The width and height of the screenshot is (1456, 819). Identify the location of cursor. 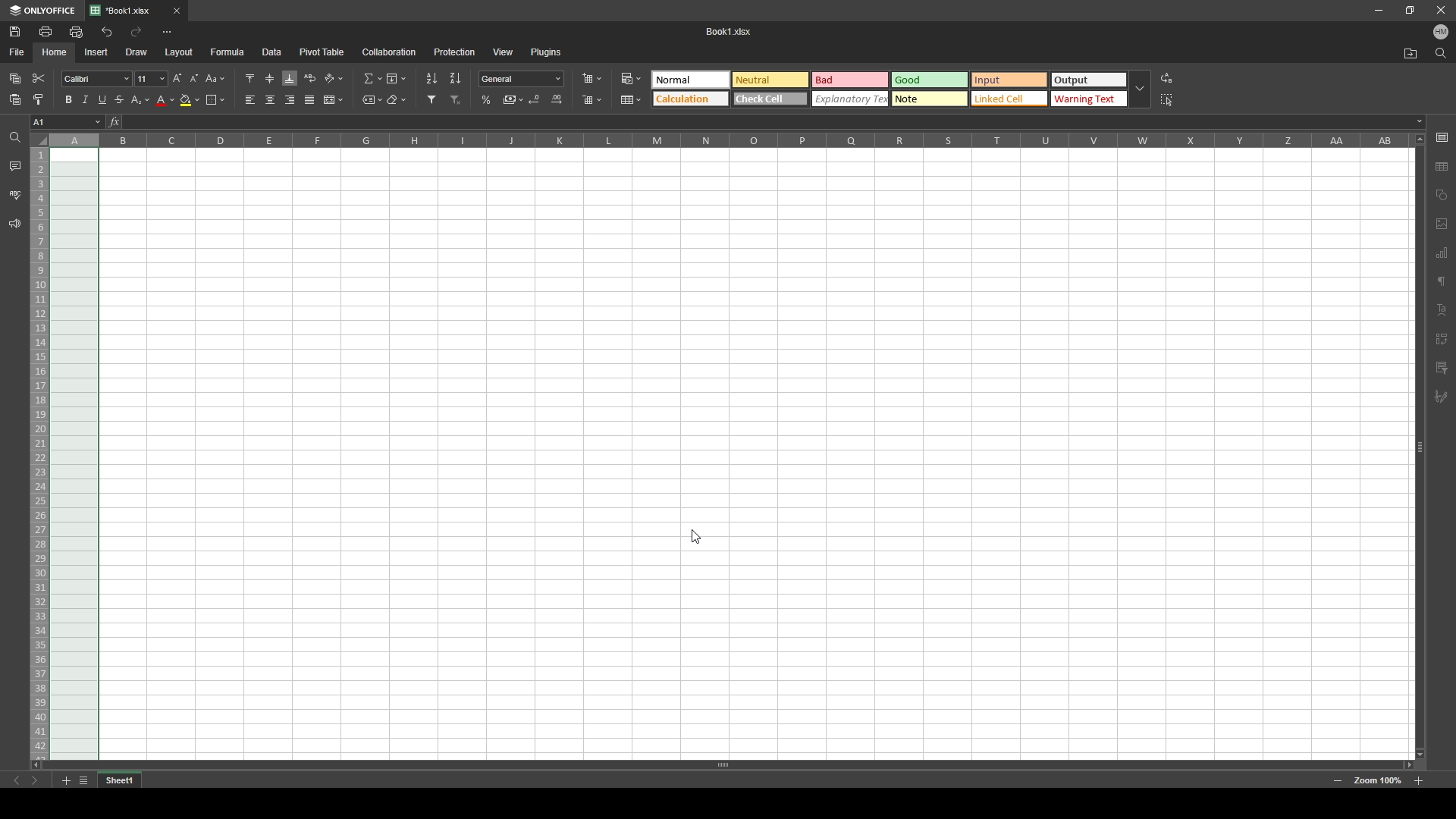
(694, 537).